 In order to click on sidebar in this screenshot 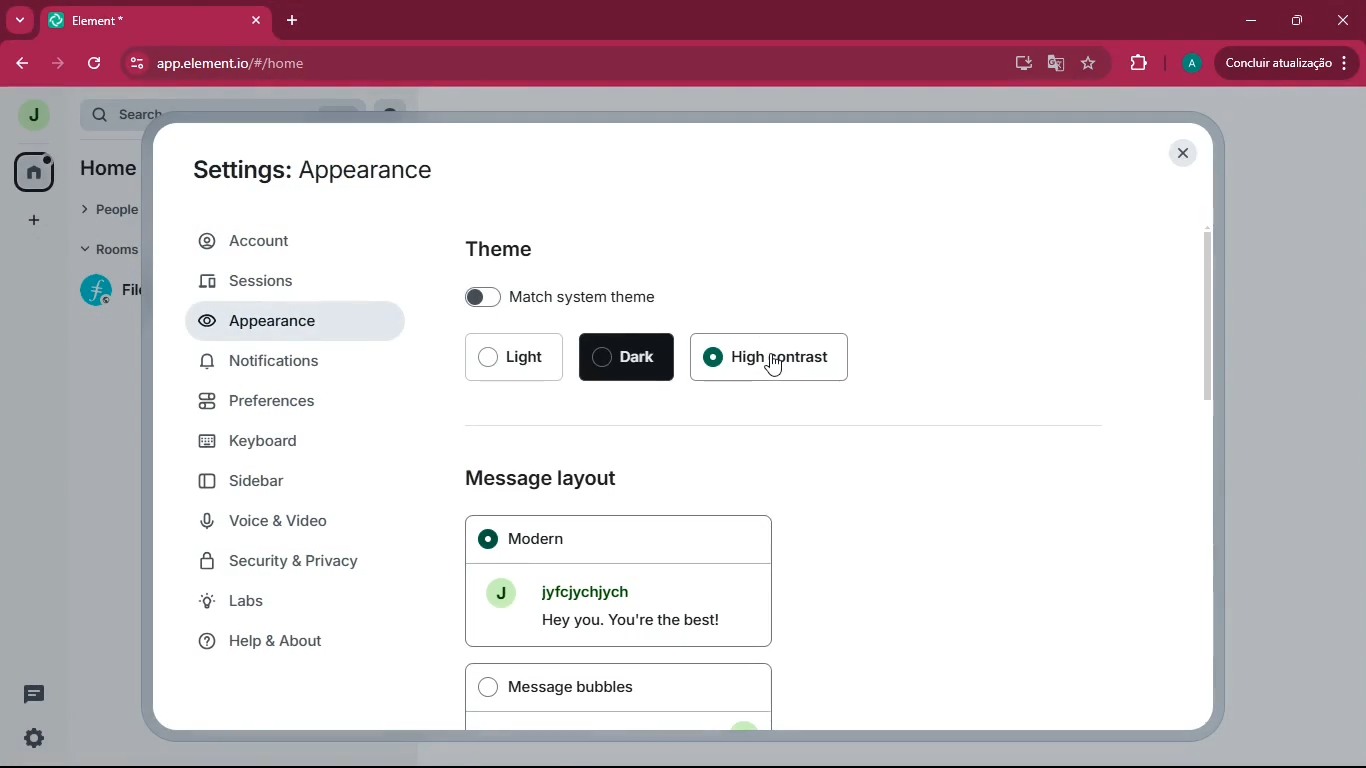, I will do `click(298, 482)`.